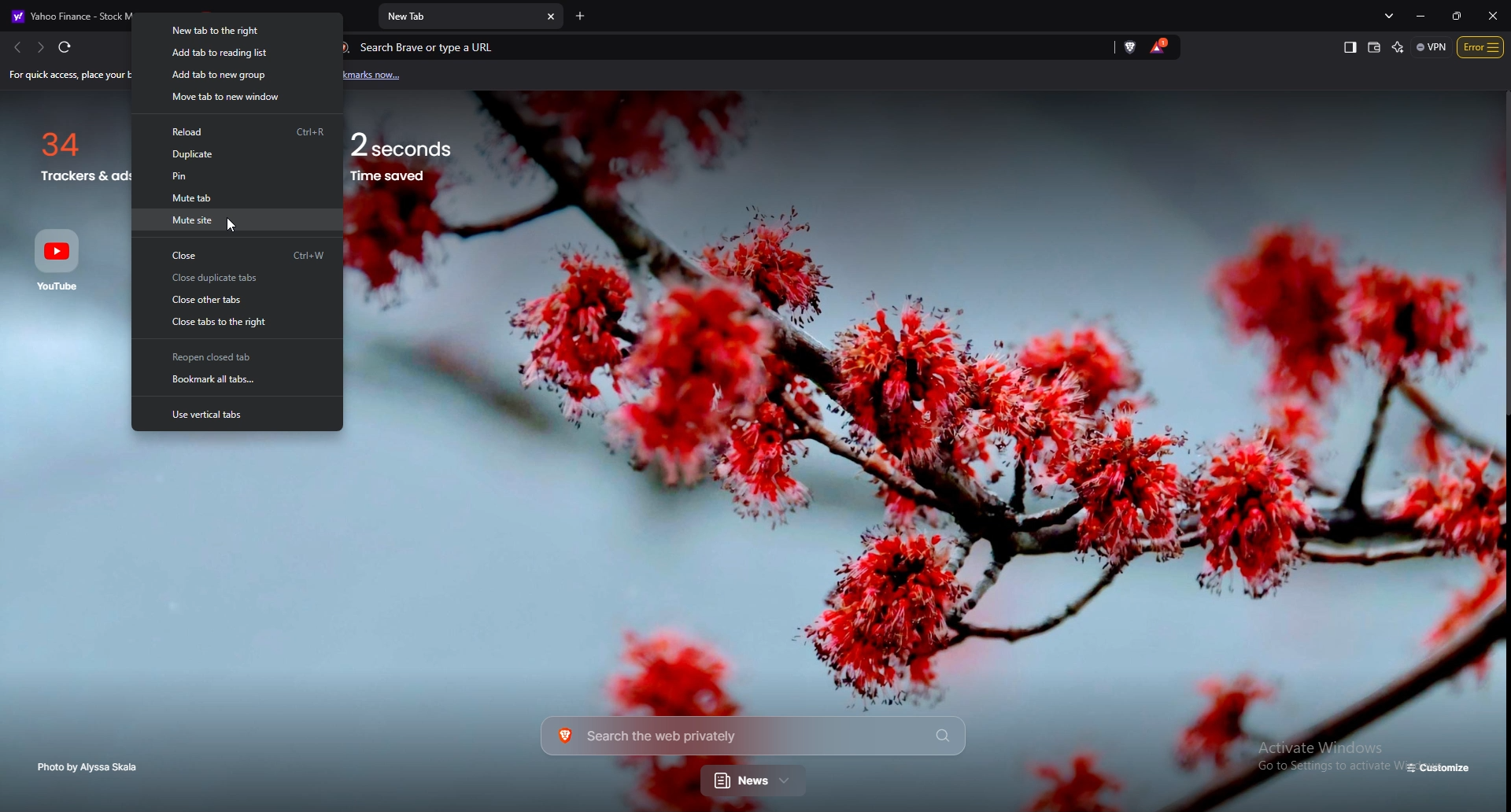 This screenshot has width=1511, height=812. Describe the element at coordinates (238, 76) in the screenshot. I see `add tab to new group` at that location.